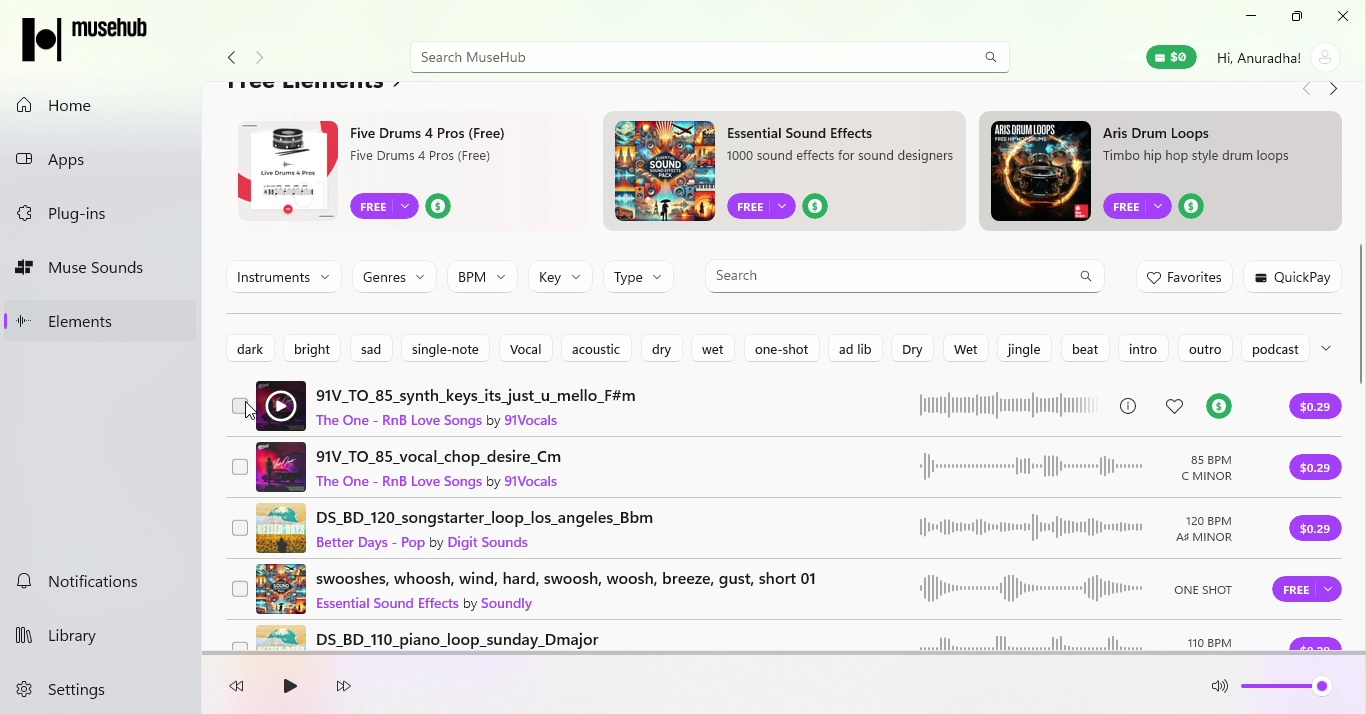 Image resolution: width=1366 pixels, height=714 pixels. What do you see at coordinates (1142, 349) in the screenshot?
I see `Intro` at bounding box center [1142, 349].